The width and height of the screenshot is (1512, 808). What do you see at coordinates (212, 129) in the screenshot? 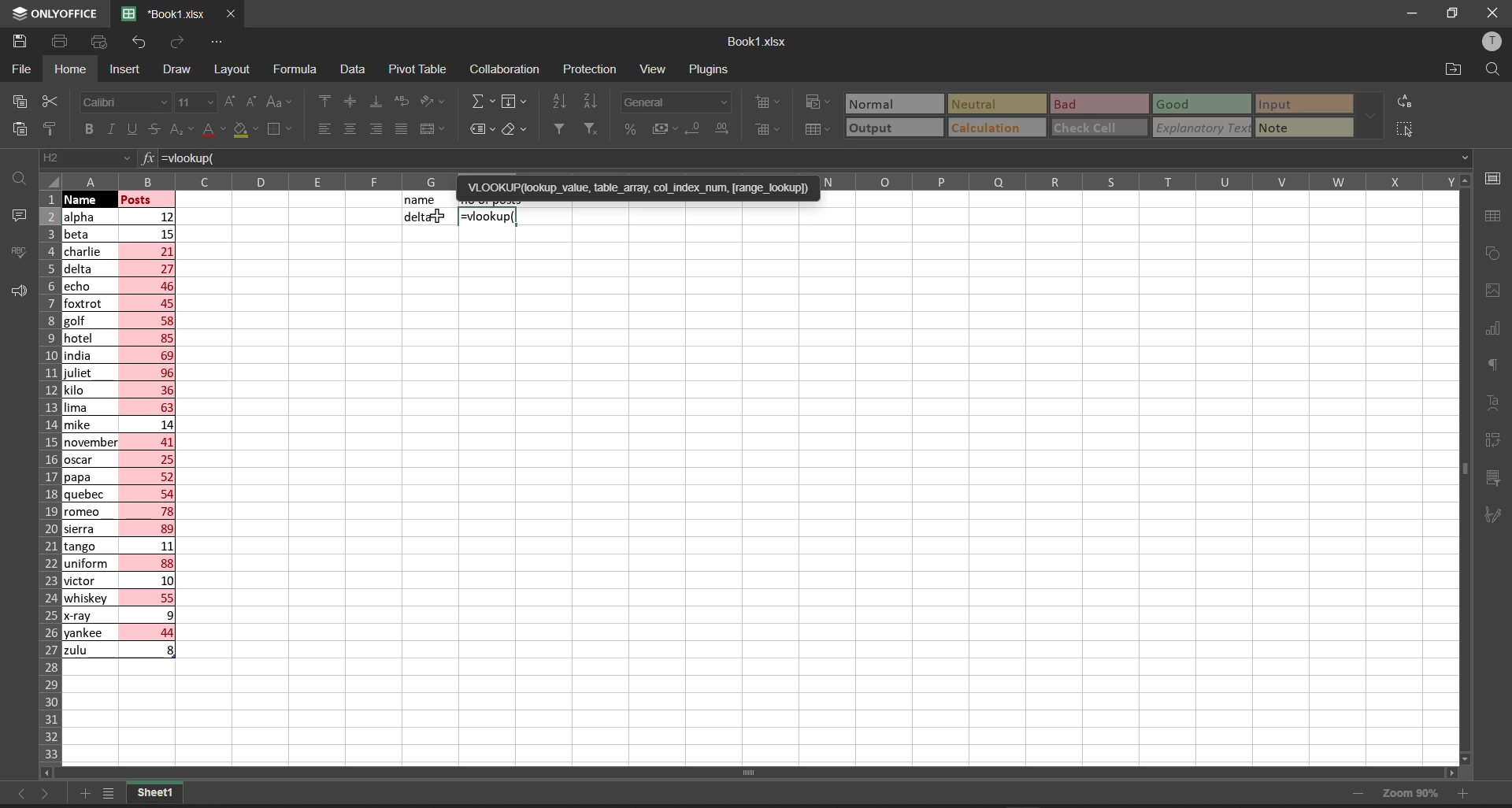
I see `font color` at bounding box center [212, 129].